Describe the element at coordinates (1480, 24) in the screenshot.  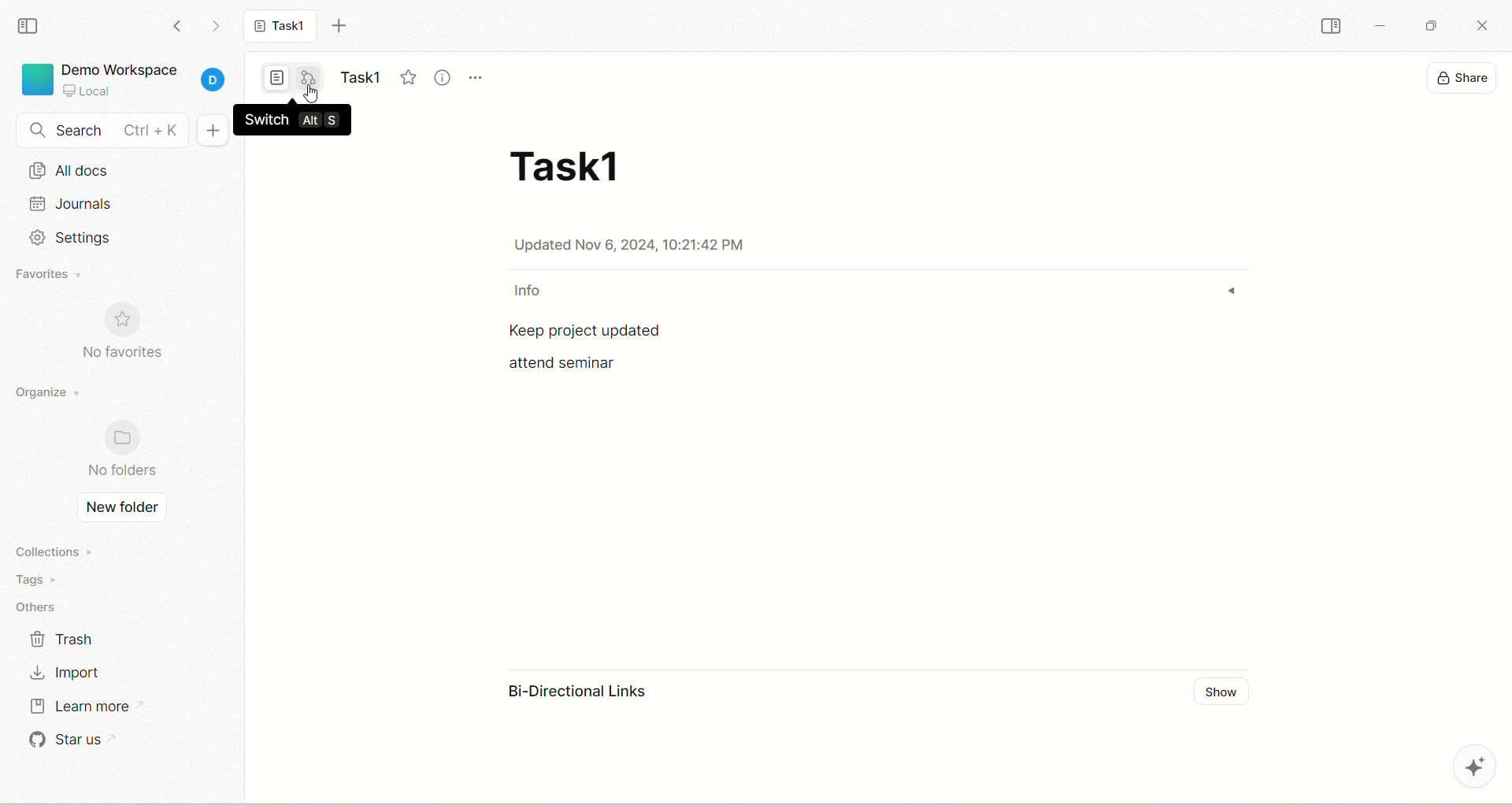
I see `close` at that location.